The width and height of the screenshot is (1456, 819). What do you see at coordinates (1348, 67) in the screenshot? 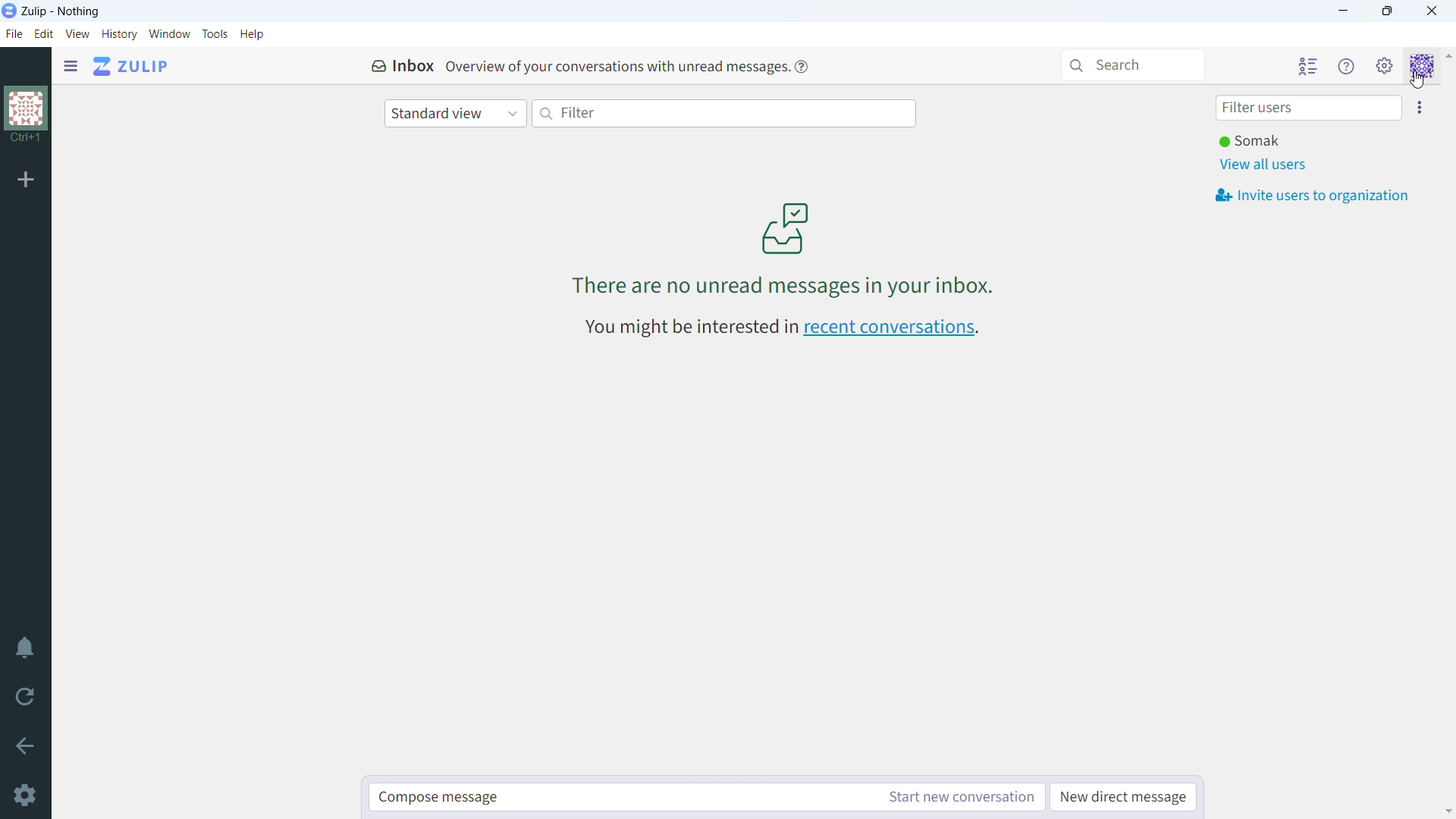
I see `help menu` at bounding box center [1348, 67].